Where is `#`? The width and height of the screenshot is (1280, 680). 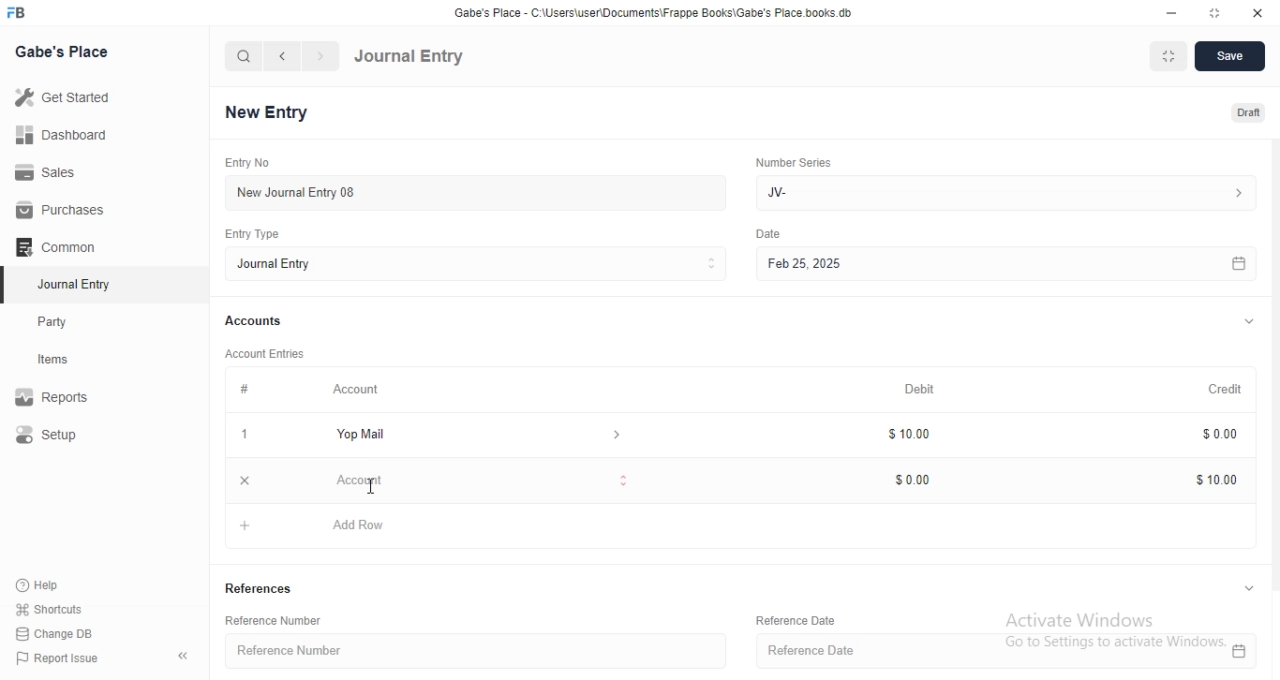
# is located at coordinates (243, 390).